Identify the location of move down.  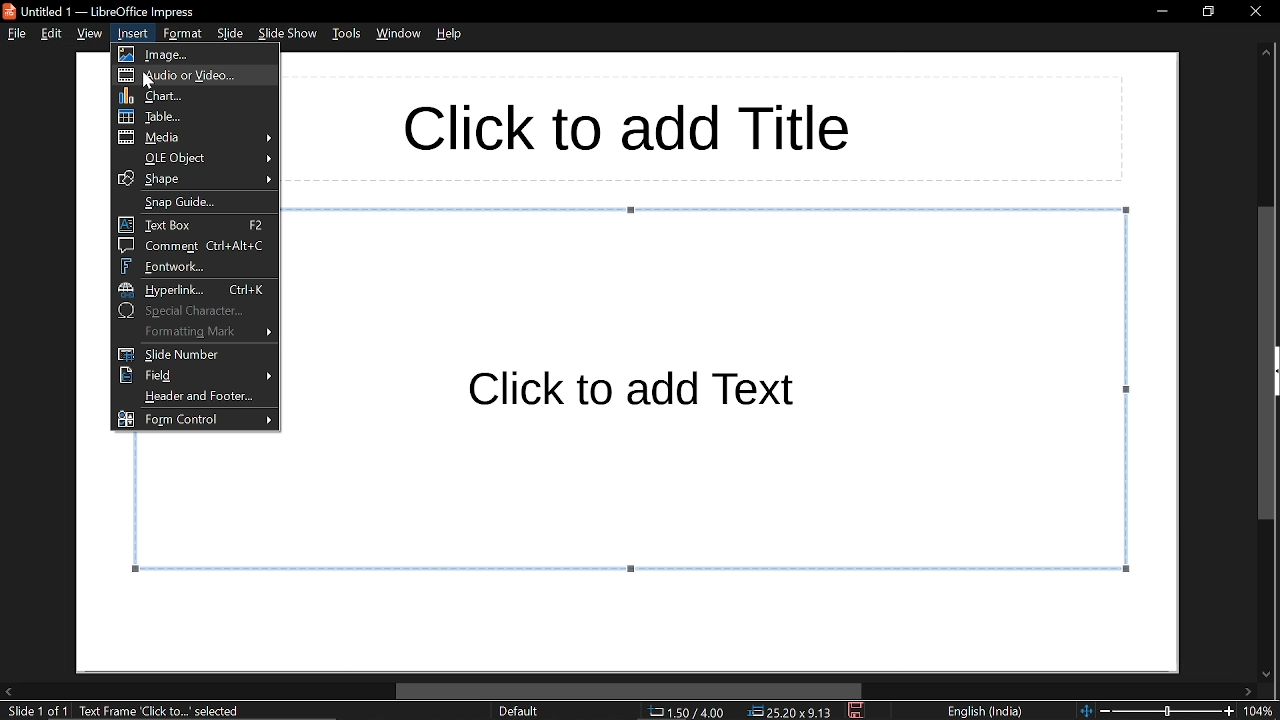
(1269, 670).